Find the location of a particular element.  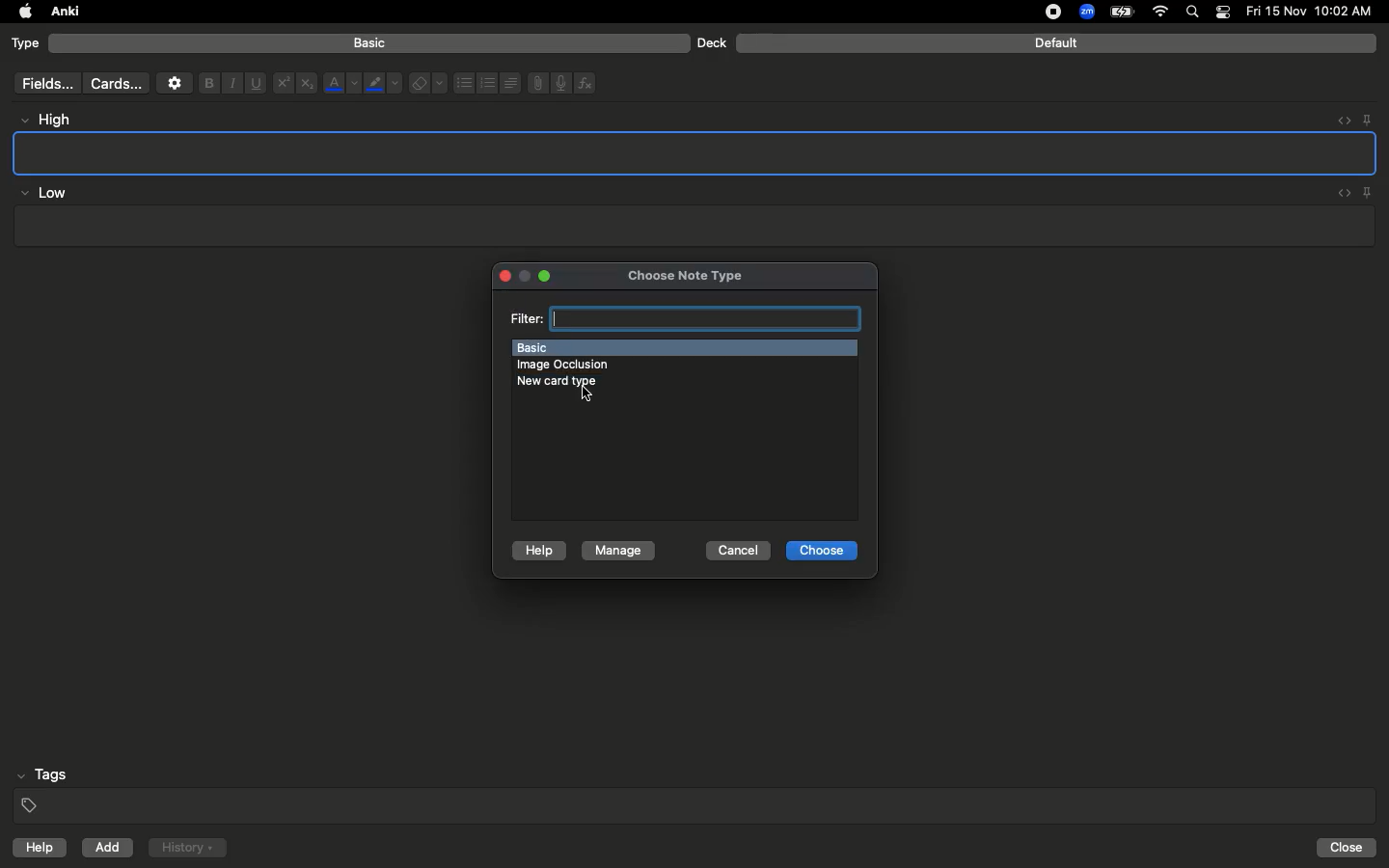

cursor is located at coordinates (583, 395).